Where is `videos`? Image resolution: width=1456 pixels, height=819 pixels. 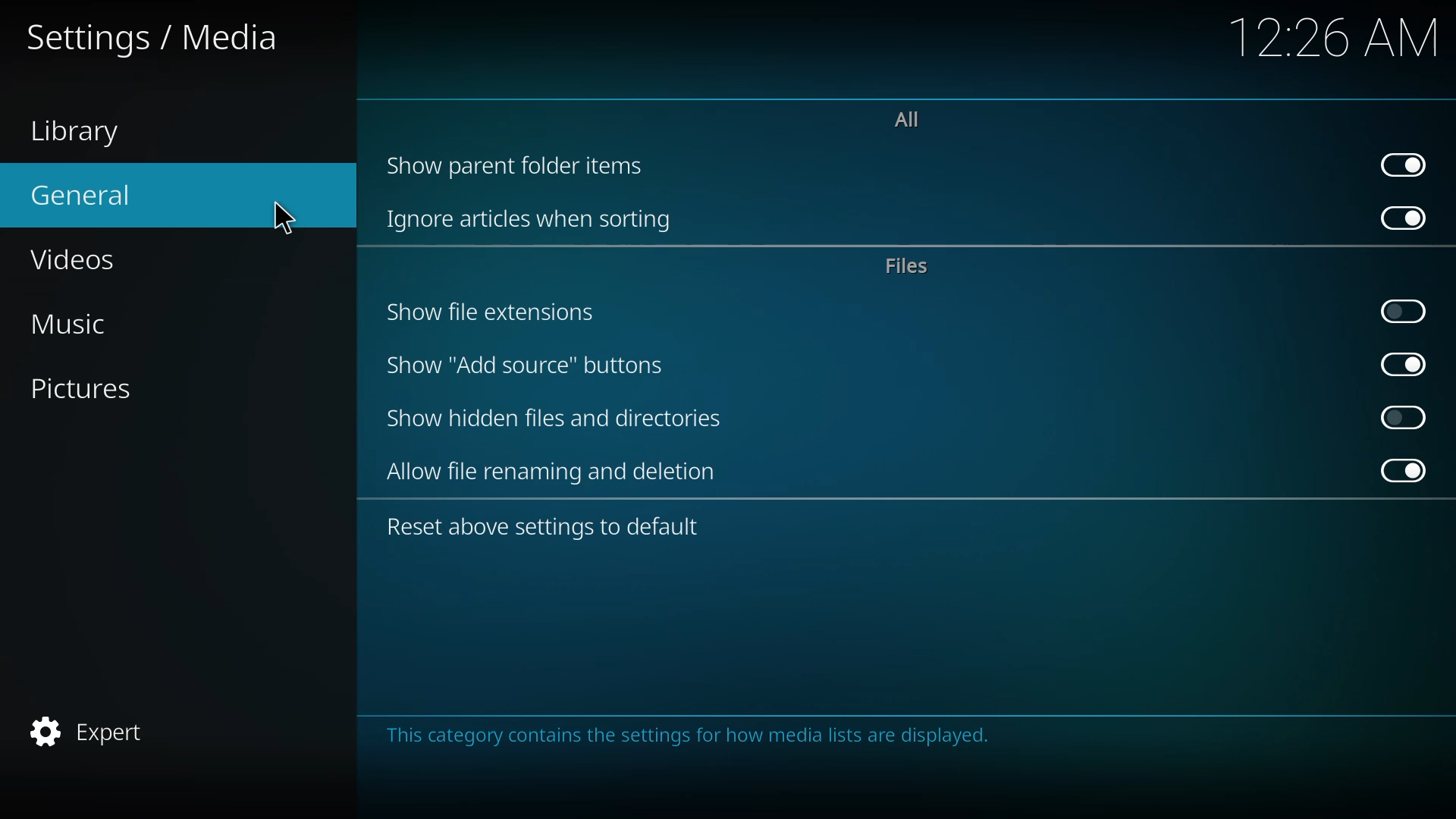
videos is located at coordinates (83, 257).